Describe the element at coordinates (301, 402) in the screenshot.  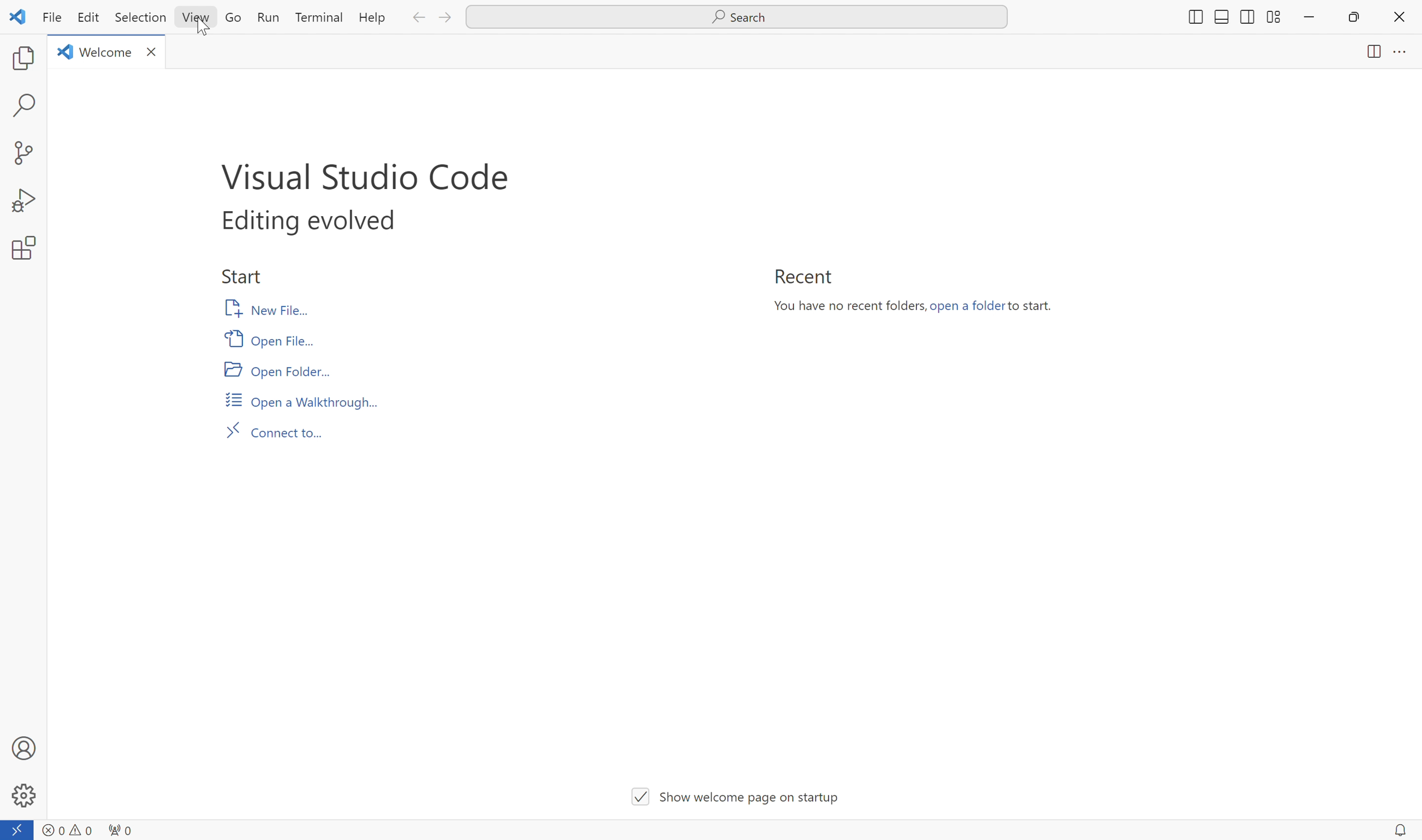
I see `Open a Walkthrough` at that location.